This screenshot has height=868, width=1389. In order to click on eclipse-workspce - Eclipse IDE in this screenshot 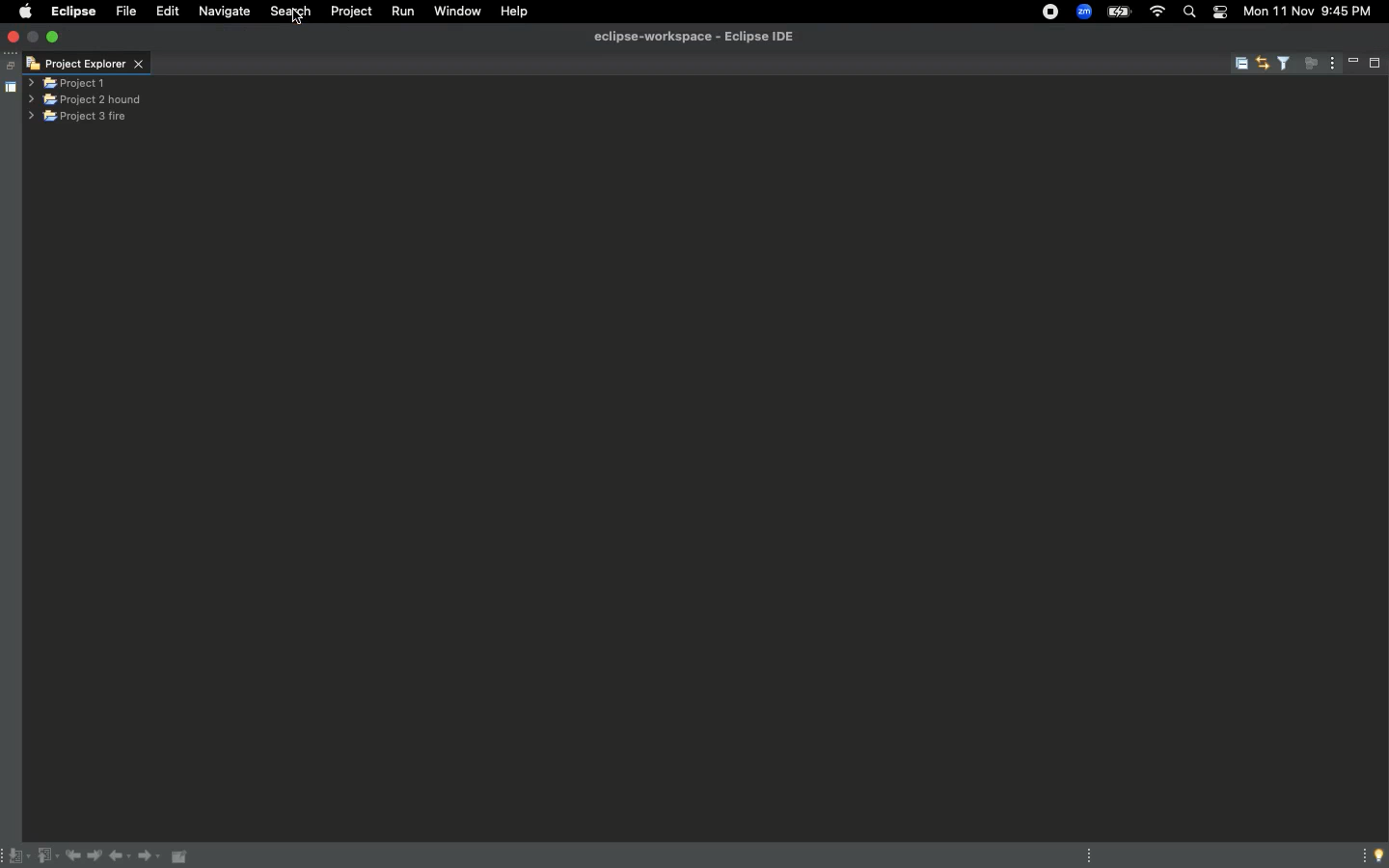, I will do `click(709, 38)`.